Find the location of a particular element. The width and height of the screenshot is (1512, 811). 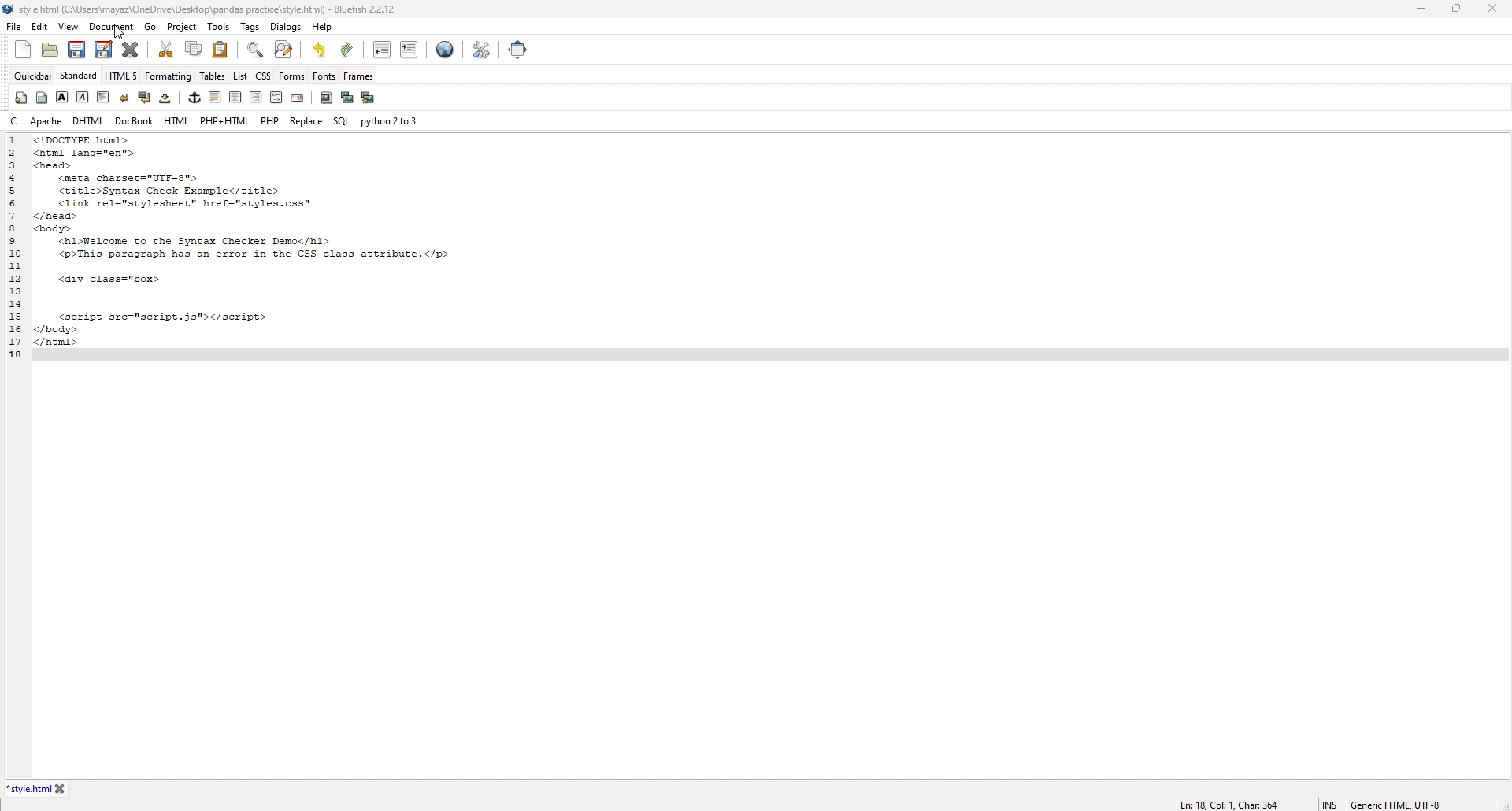

anchor is located at coordinates (195, 98).